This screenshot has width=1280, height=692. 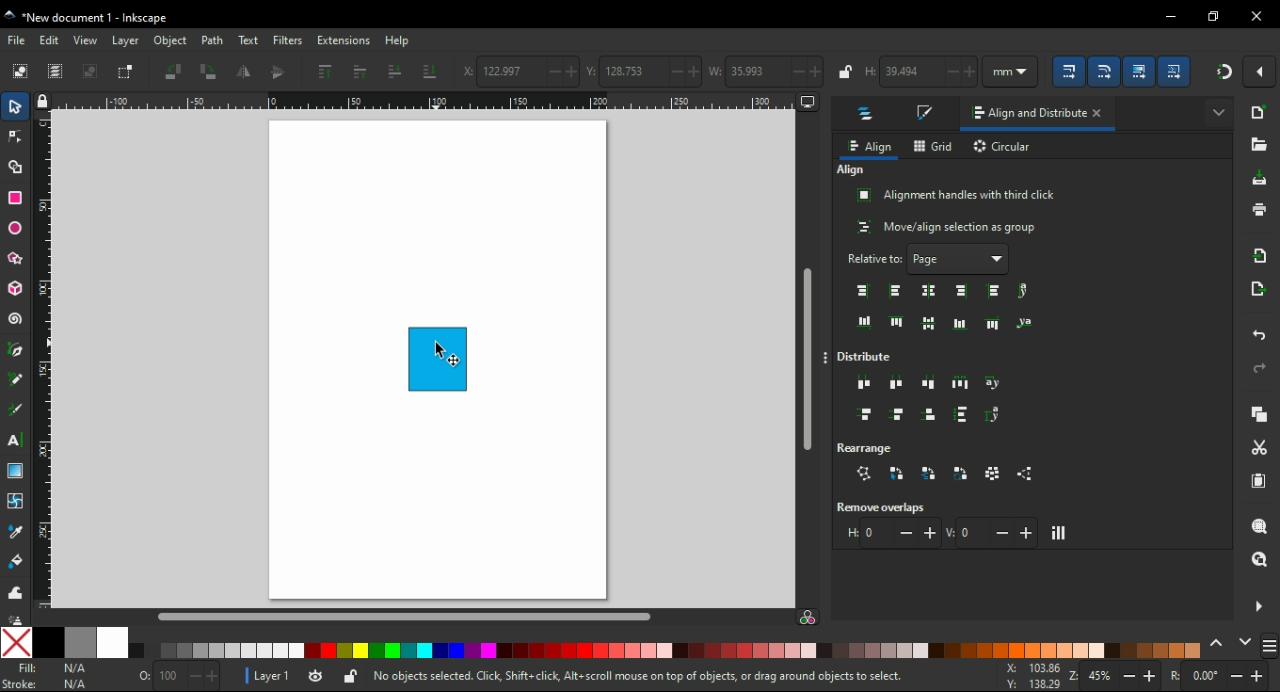 What do you see at coordinates (959, 323) in the screenshot?
I see `align bottom edges` at bounding box center [959, 323].